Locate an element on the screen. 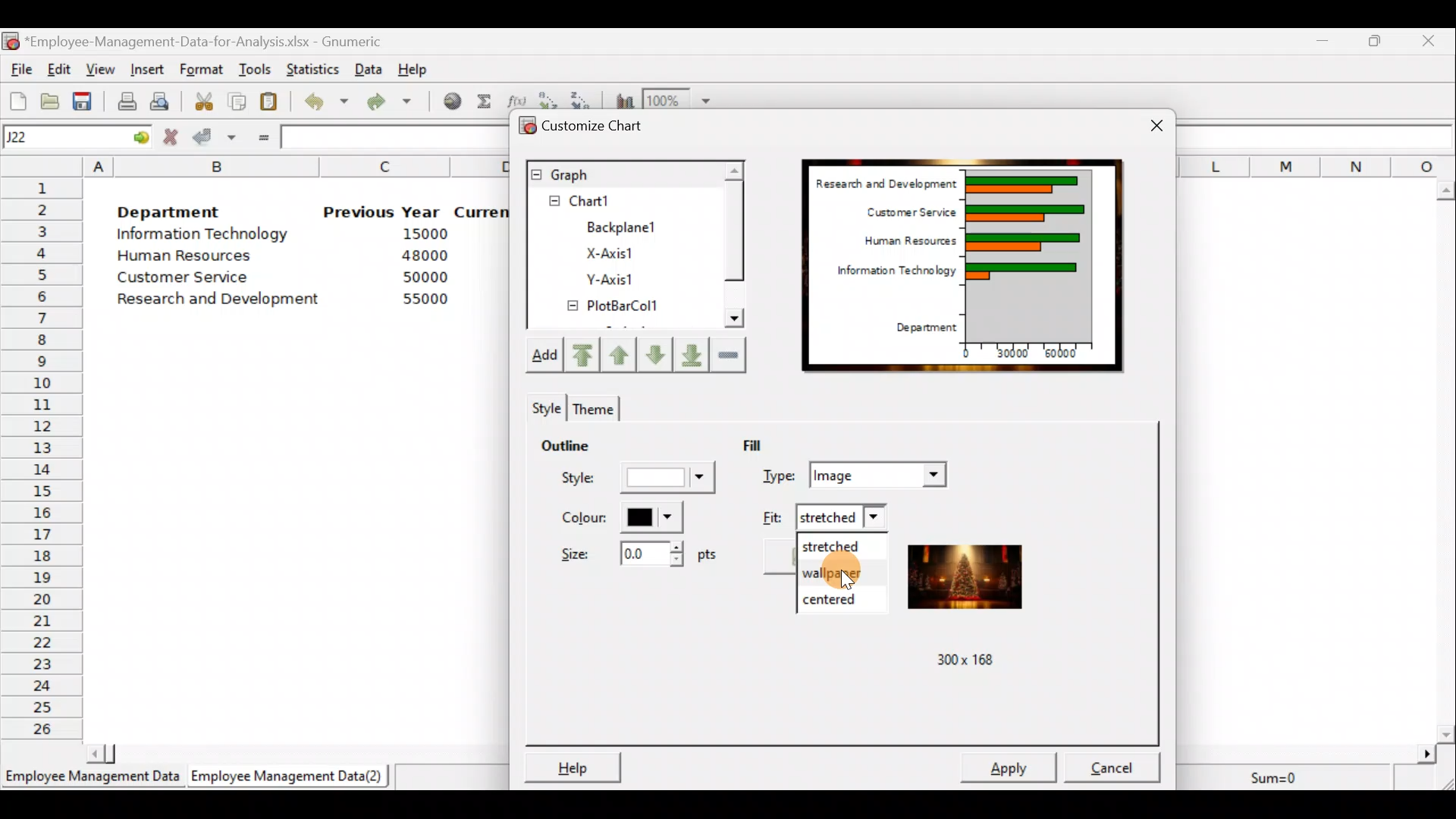 The image size is (1456, 819). 50000 is located at coordinates (422, 277).